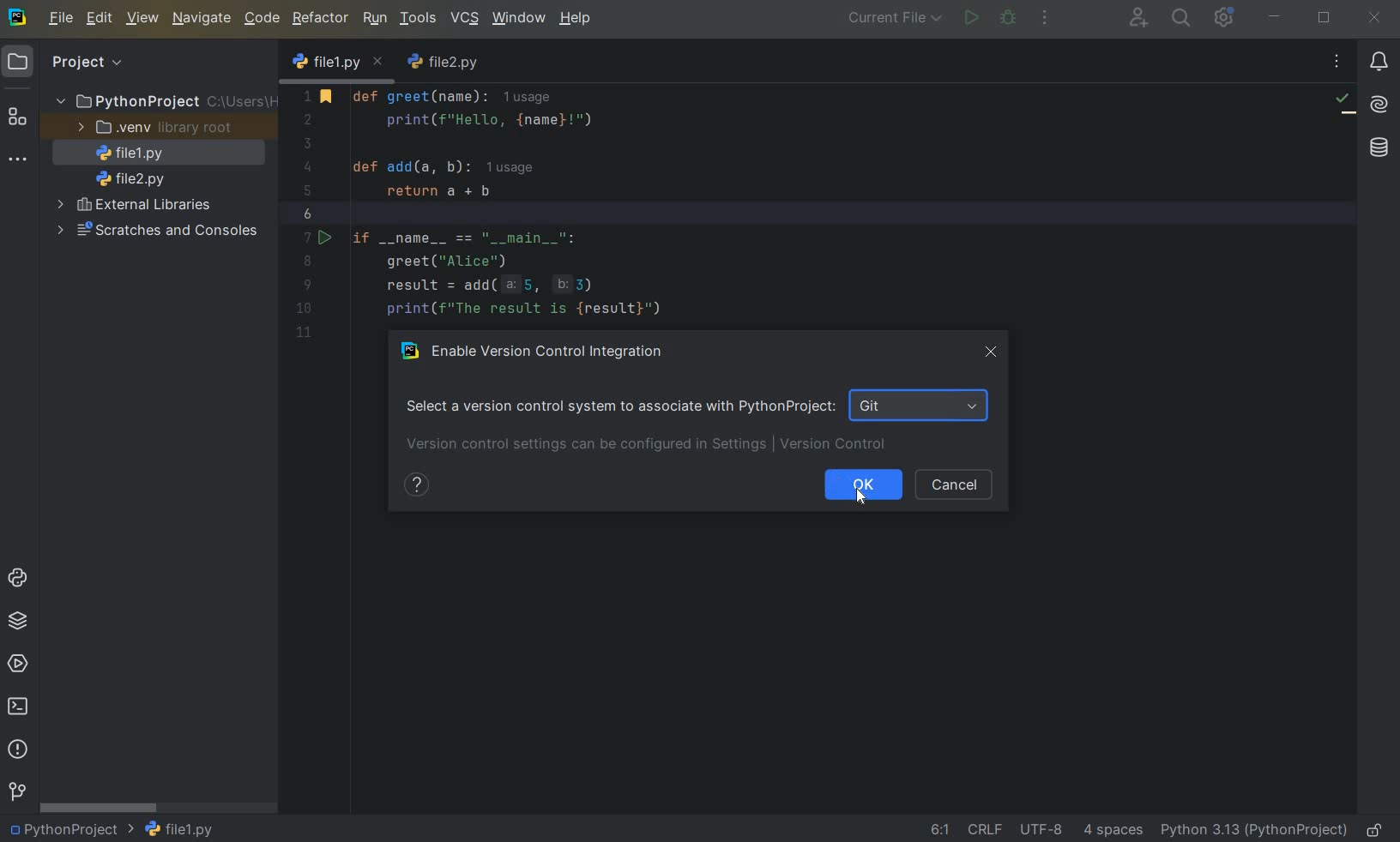 The image size is (1400, 842). What do you see at coordinates (954, 485) in the screenshot?
I see `cancel` at bounding box center [954, 485].